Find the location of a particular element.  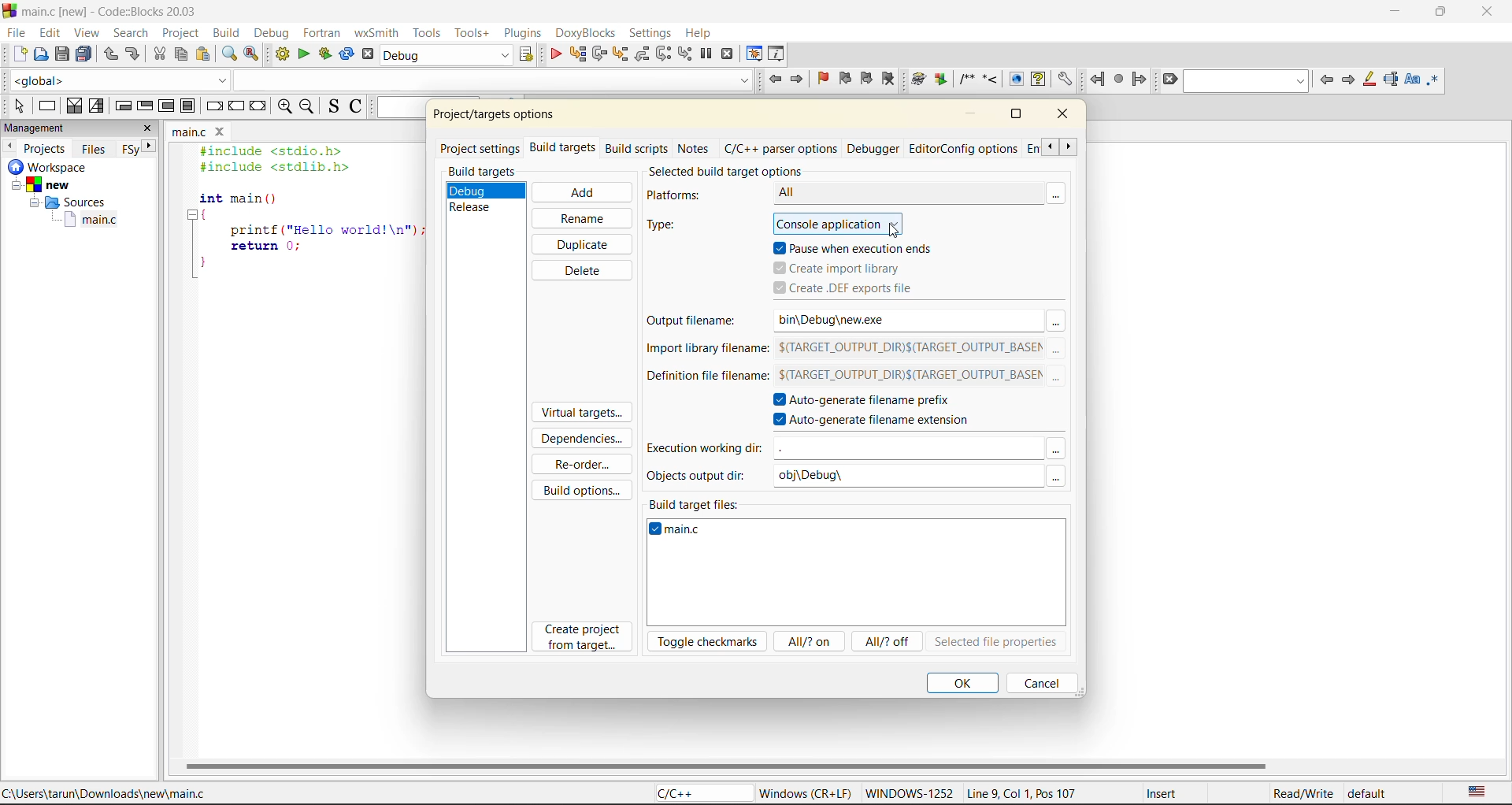

step out is located at coordinates (643, 54).